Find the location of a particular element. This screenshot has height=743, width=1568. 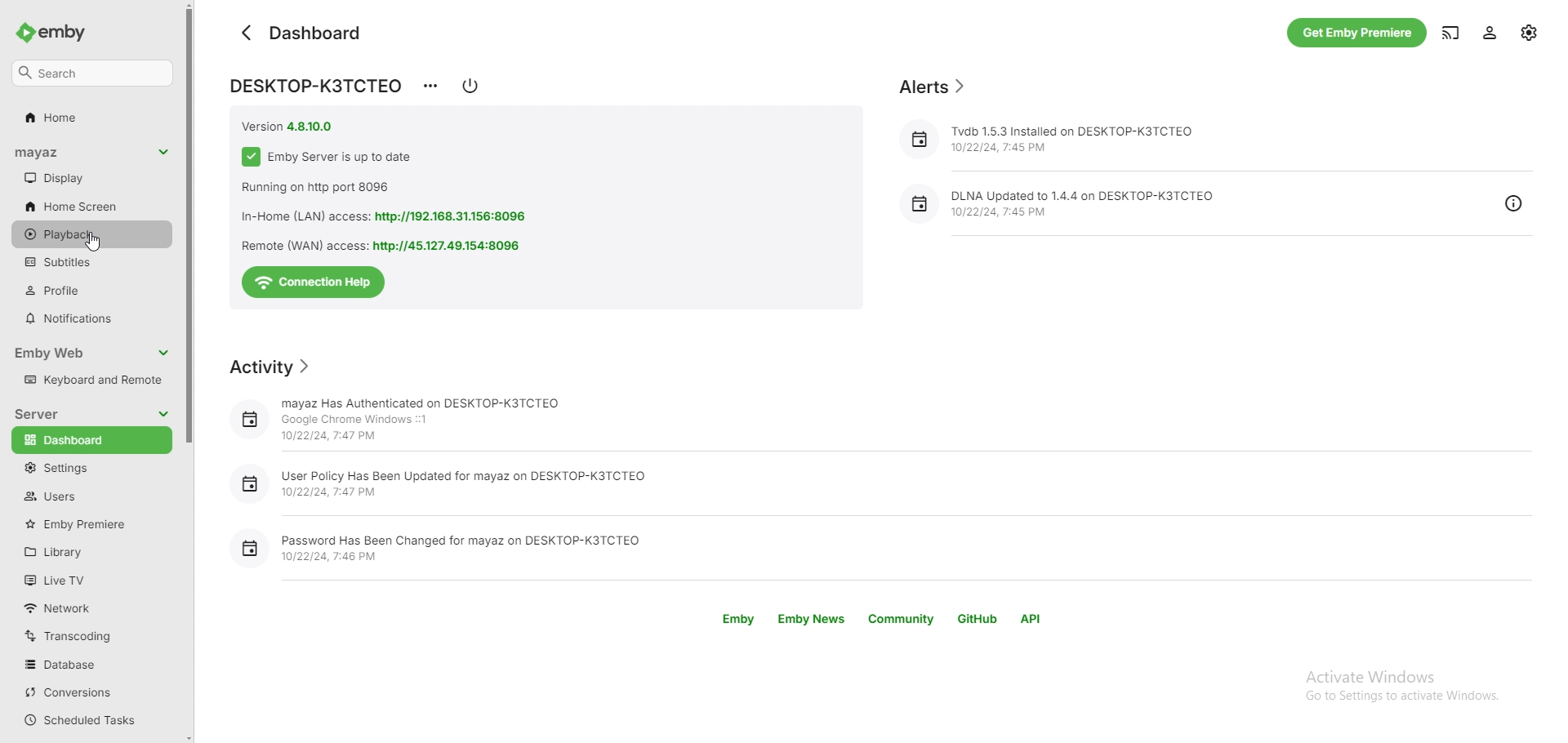

conversions is located at coordinates (87, 693).